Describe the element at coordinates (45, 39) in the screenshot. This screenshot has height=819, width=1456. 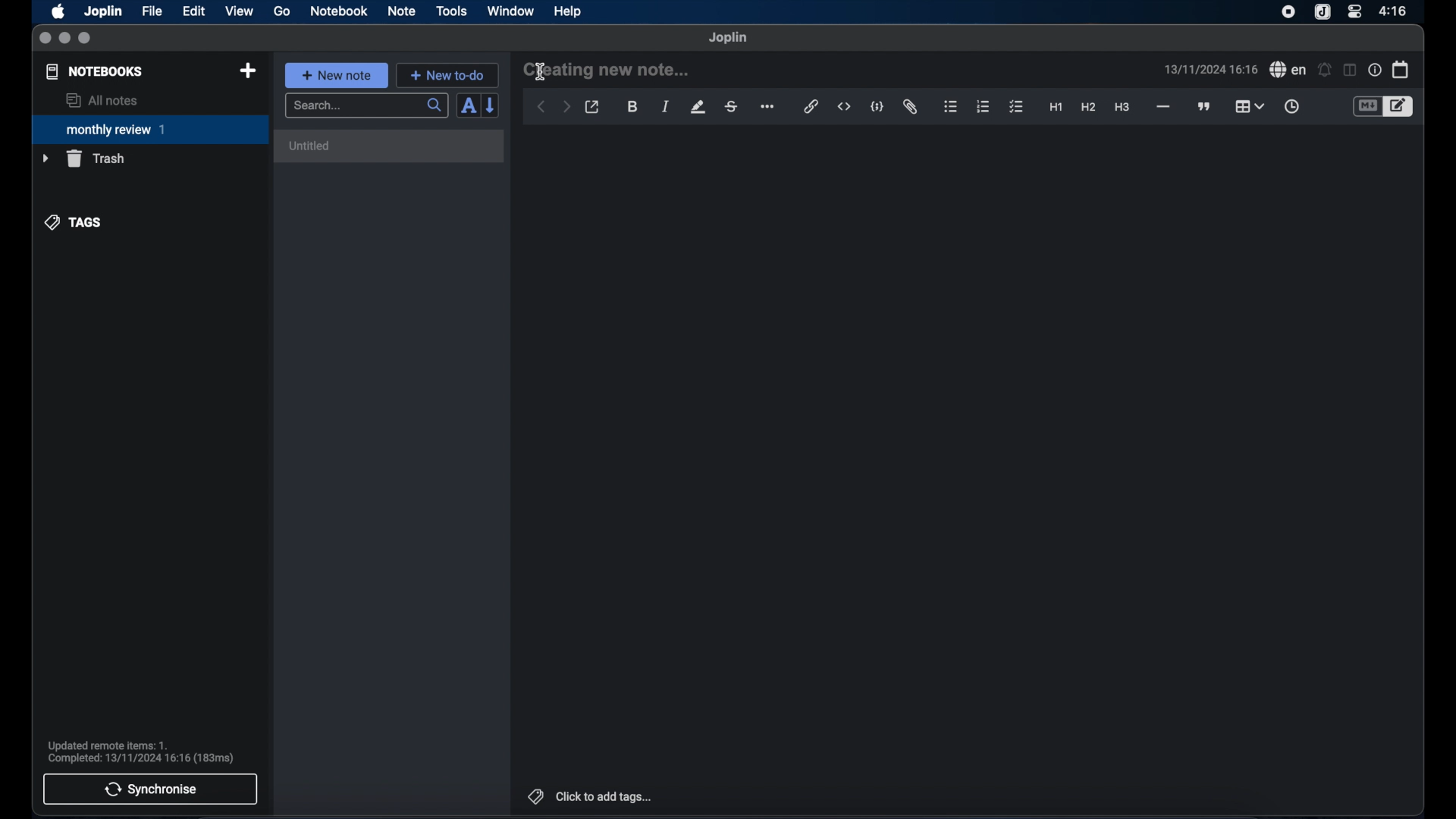
I see `close` at that location.